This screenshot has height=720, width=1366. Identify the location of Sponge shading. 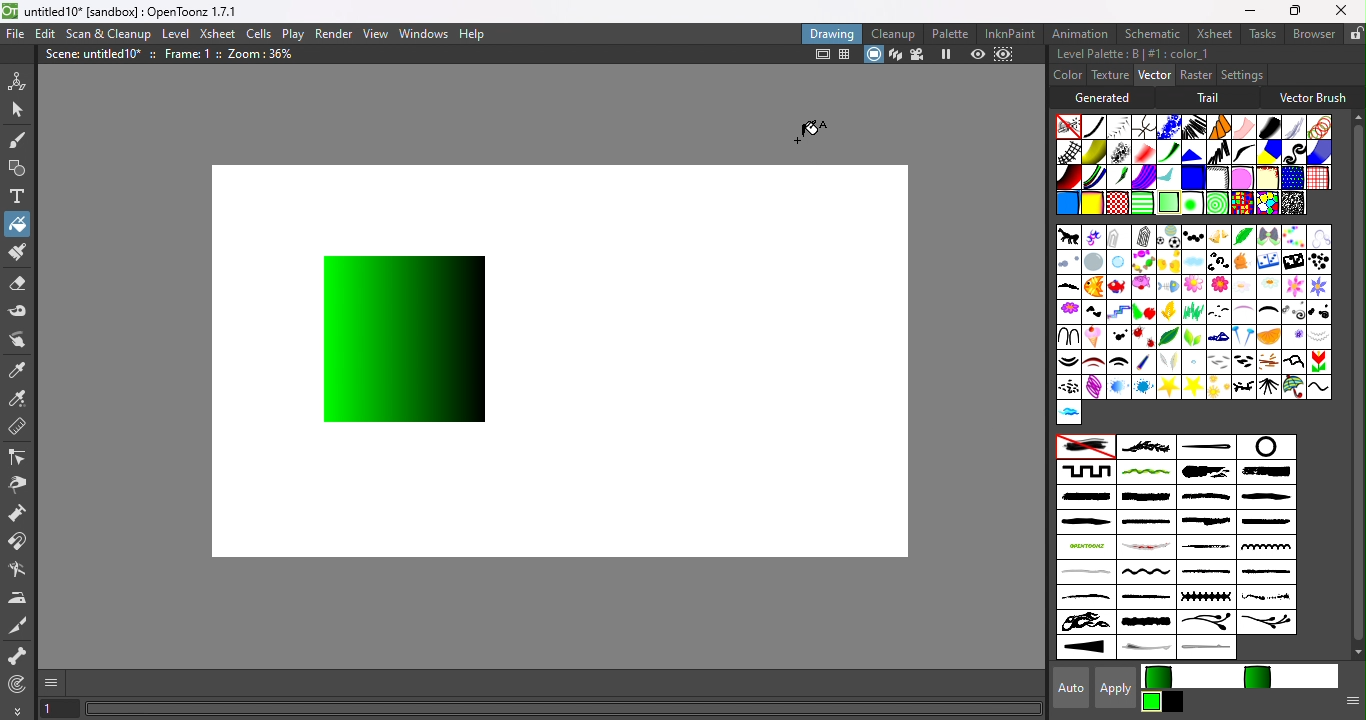
(1267, 177).